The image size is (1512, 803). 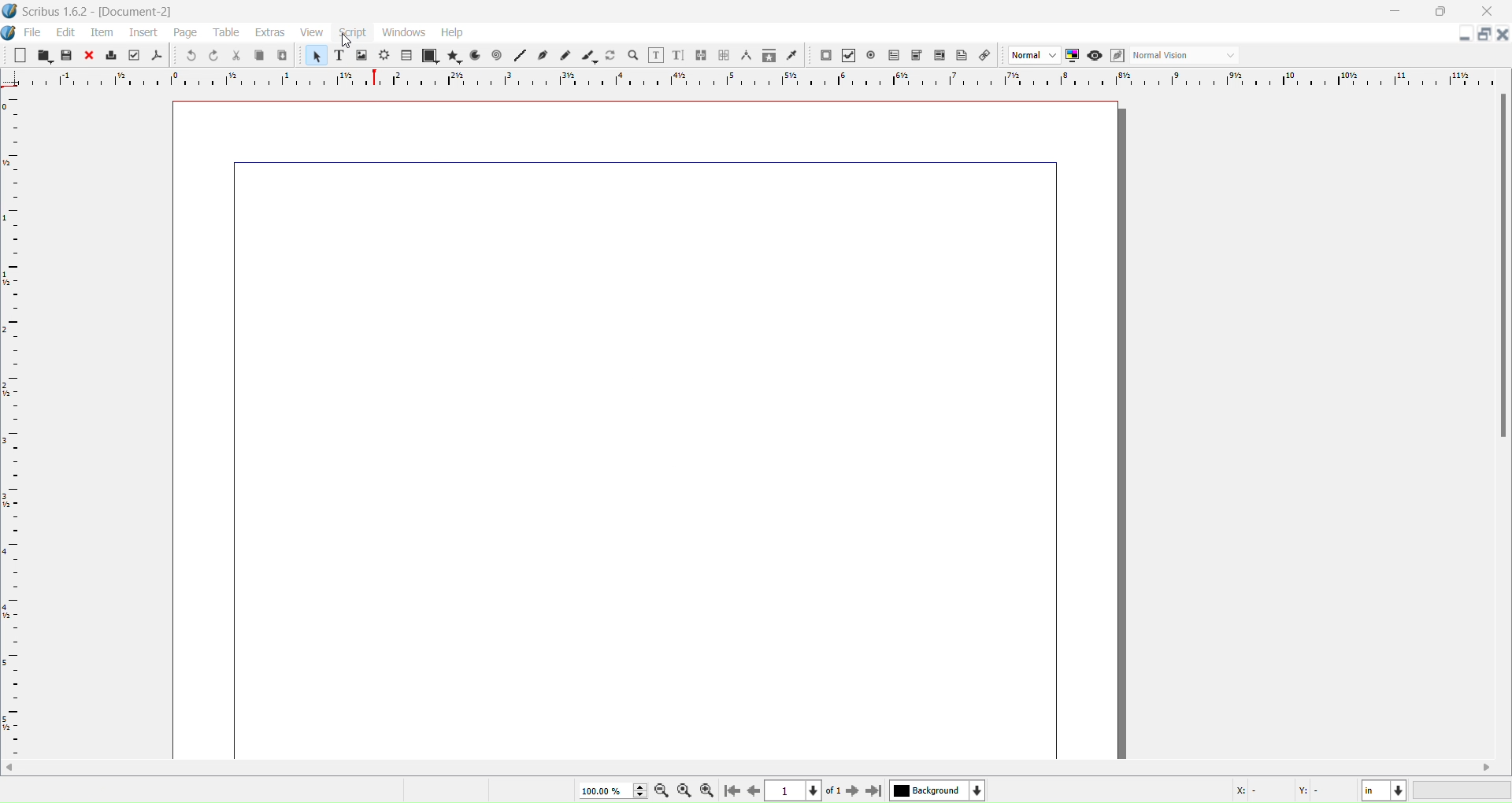 What do you see at coordinates (1254, 791) in the screenshot?
I see `Cursor coordinate -X` at bounding box center [1254, 791].